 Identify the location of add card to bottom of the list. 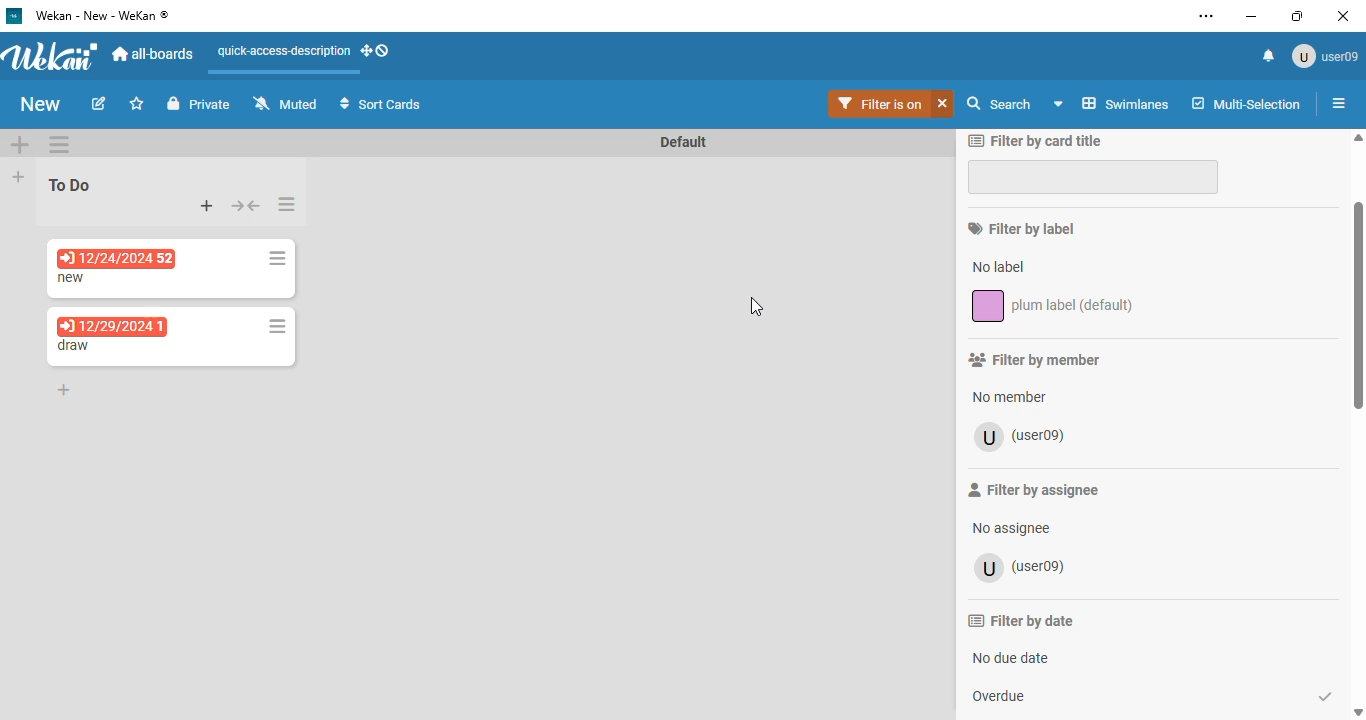
(64, 391).